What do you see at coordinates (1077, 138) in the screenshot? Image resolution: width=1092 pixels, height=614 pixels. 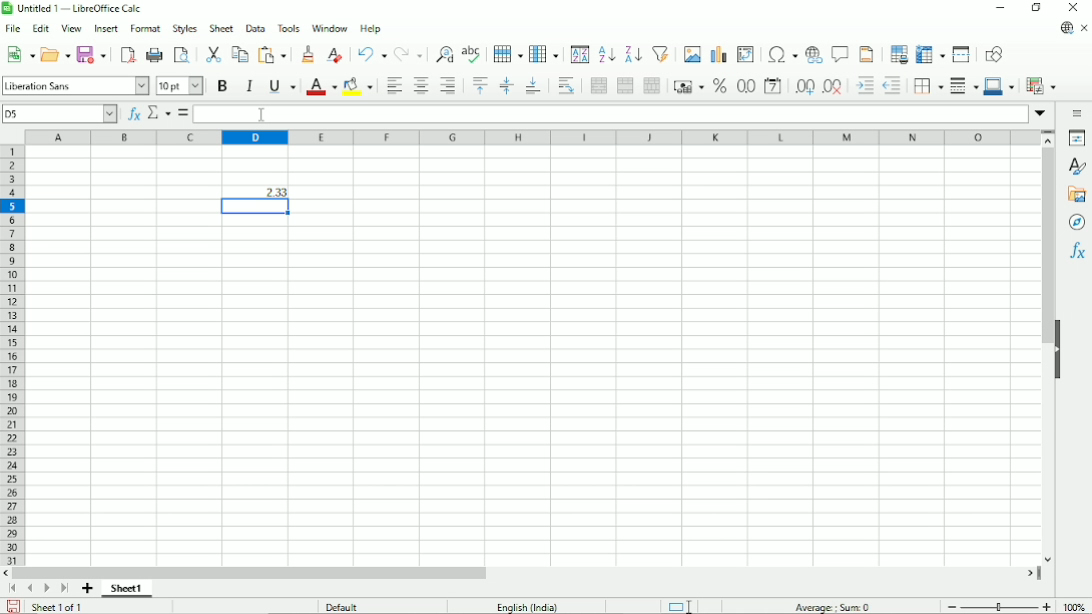 I see `Properties` at bounding box center [1077, 138].